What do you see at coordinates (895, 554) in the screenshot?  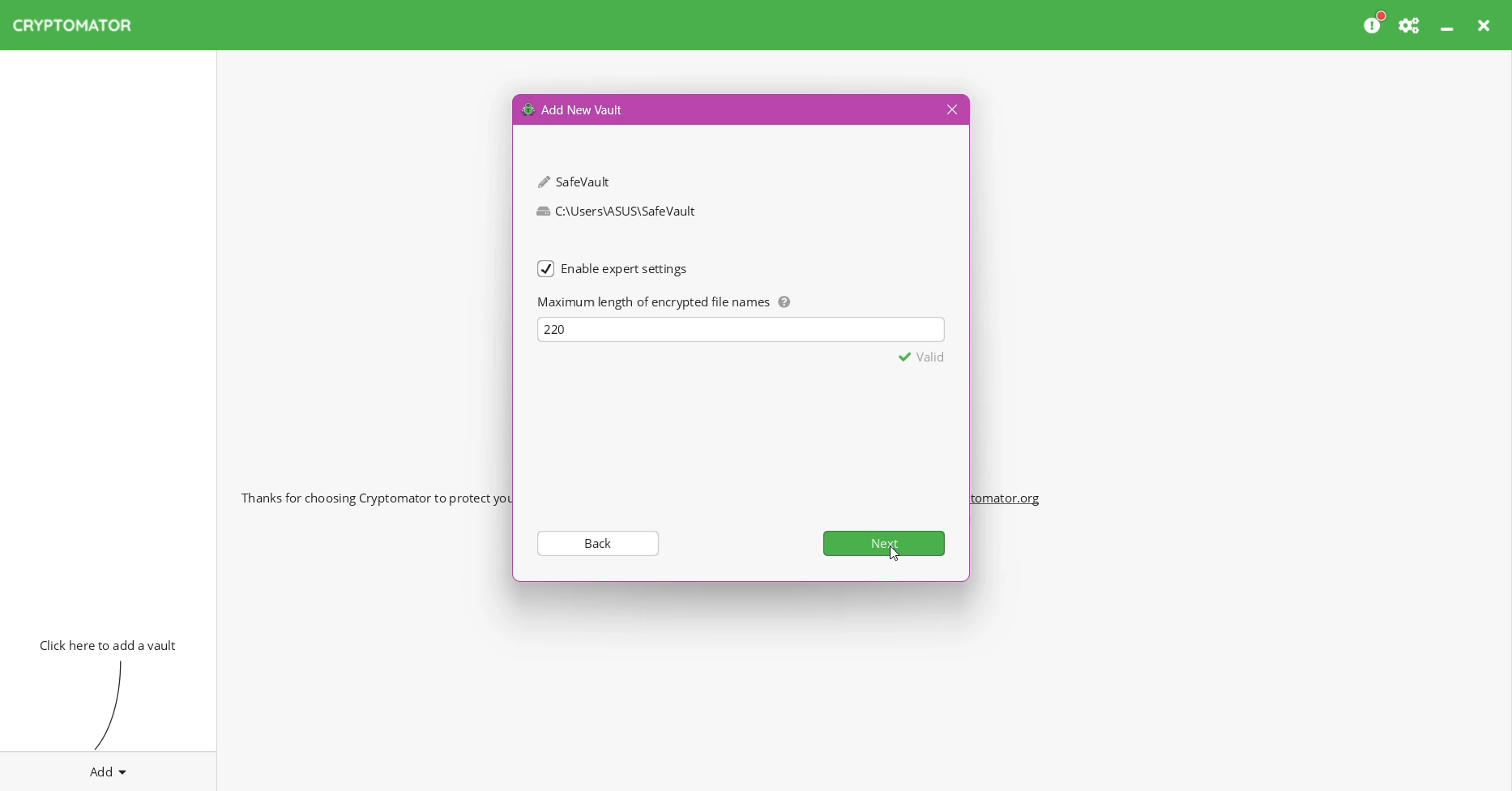 I see `Cursor` at bounding box center [895, 554].